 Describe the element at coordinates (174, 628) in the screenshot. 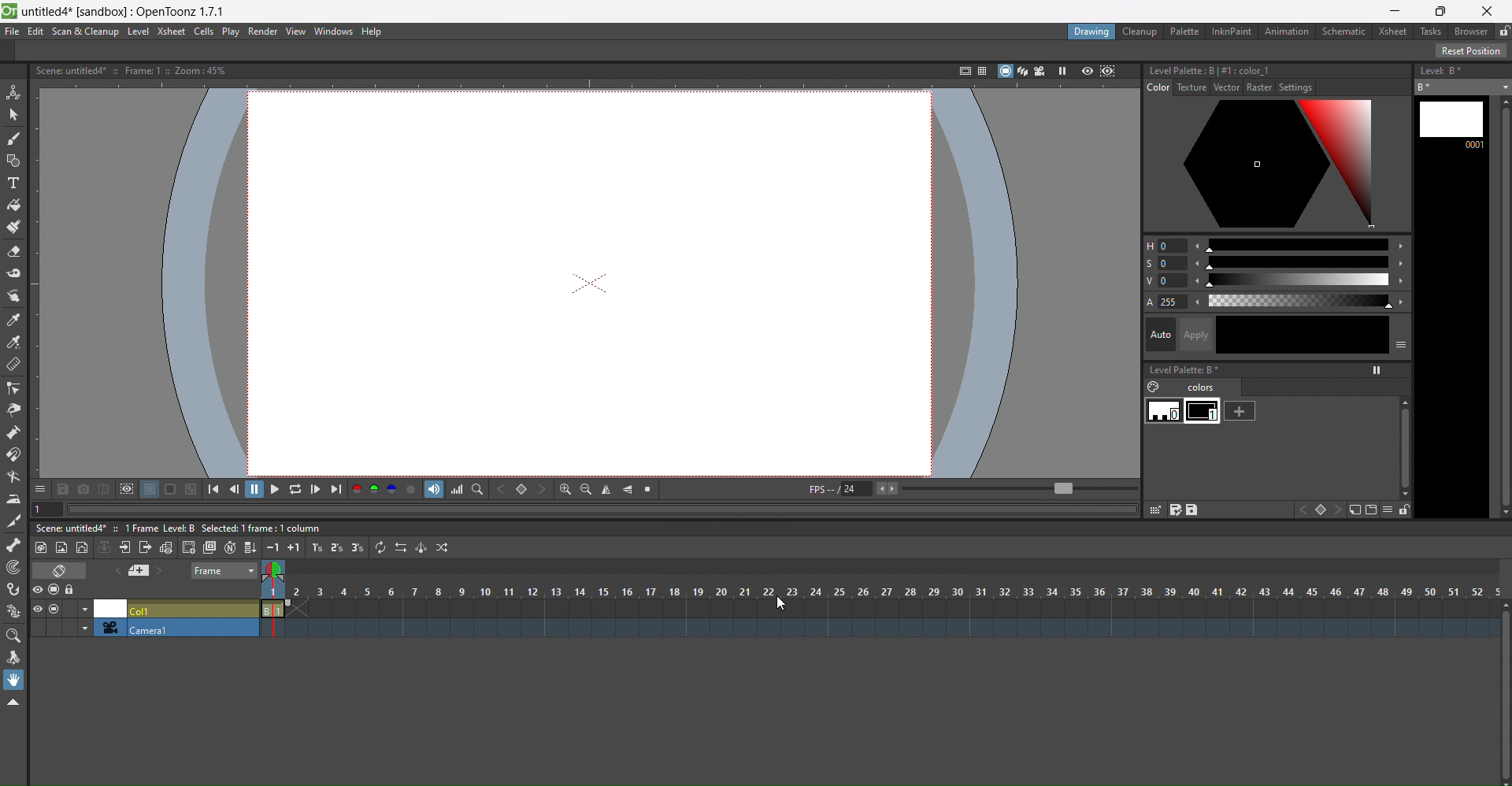

I see `camera1` at that location.